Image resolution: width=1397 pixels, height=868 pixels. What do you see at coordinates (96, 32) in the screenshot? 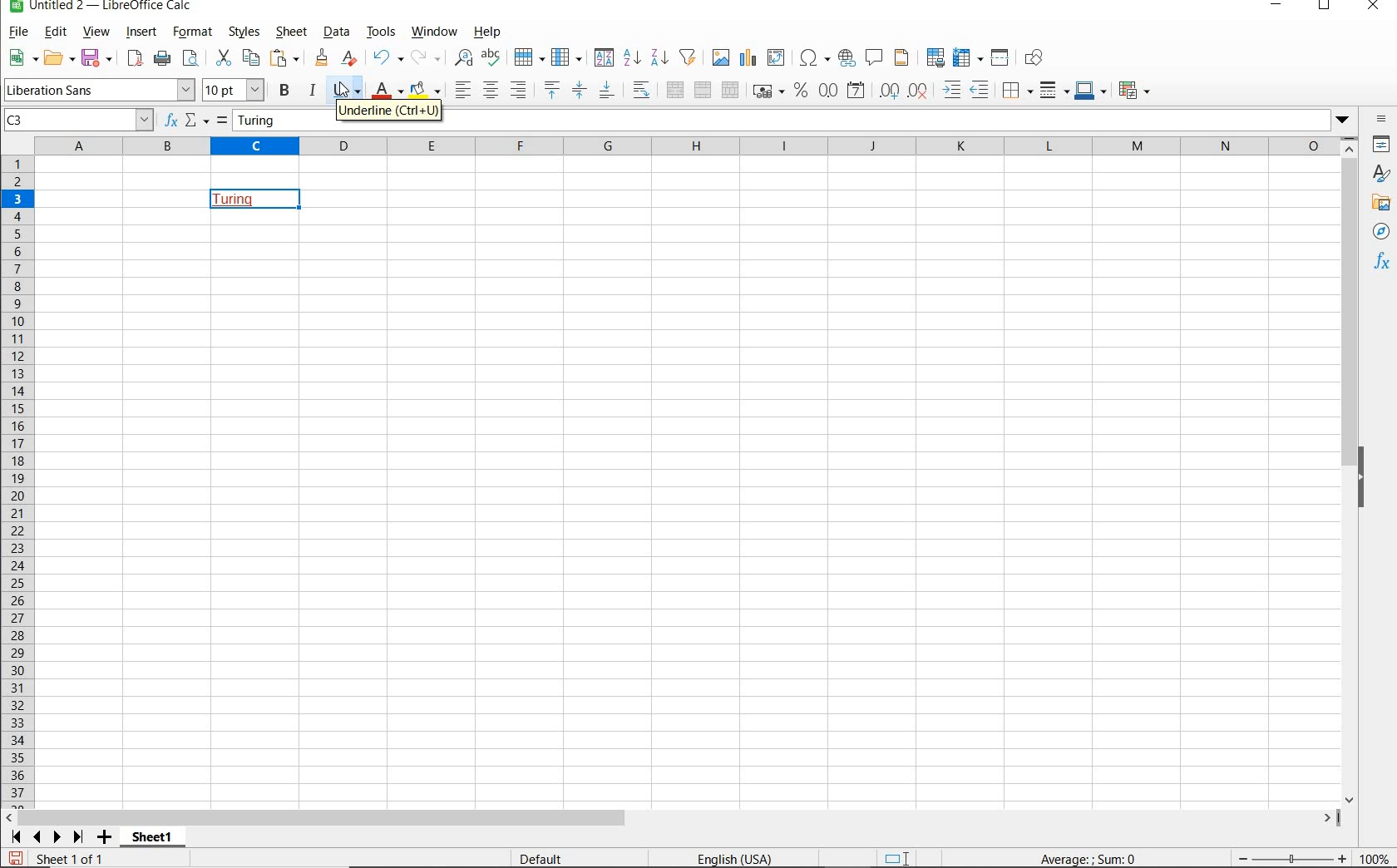
I see `VIEW` at bounding box center [96, 32].